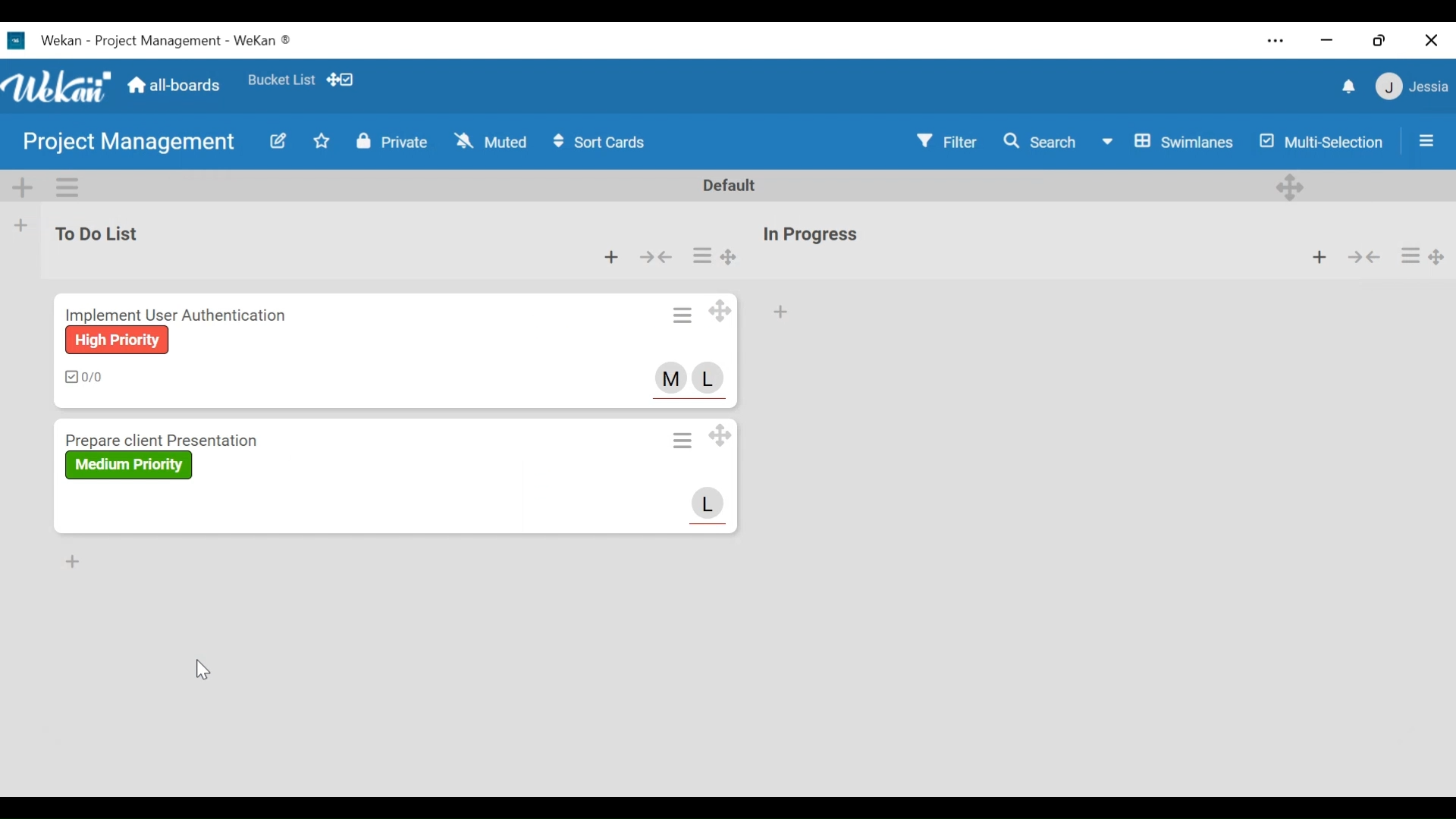  Describe the element at coordinates (69, 186) in the screenshot. I see `Swimlane actions` at that location.